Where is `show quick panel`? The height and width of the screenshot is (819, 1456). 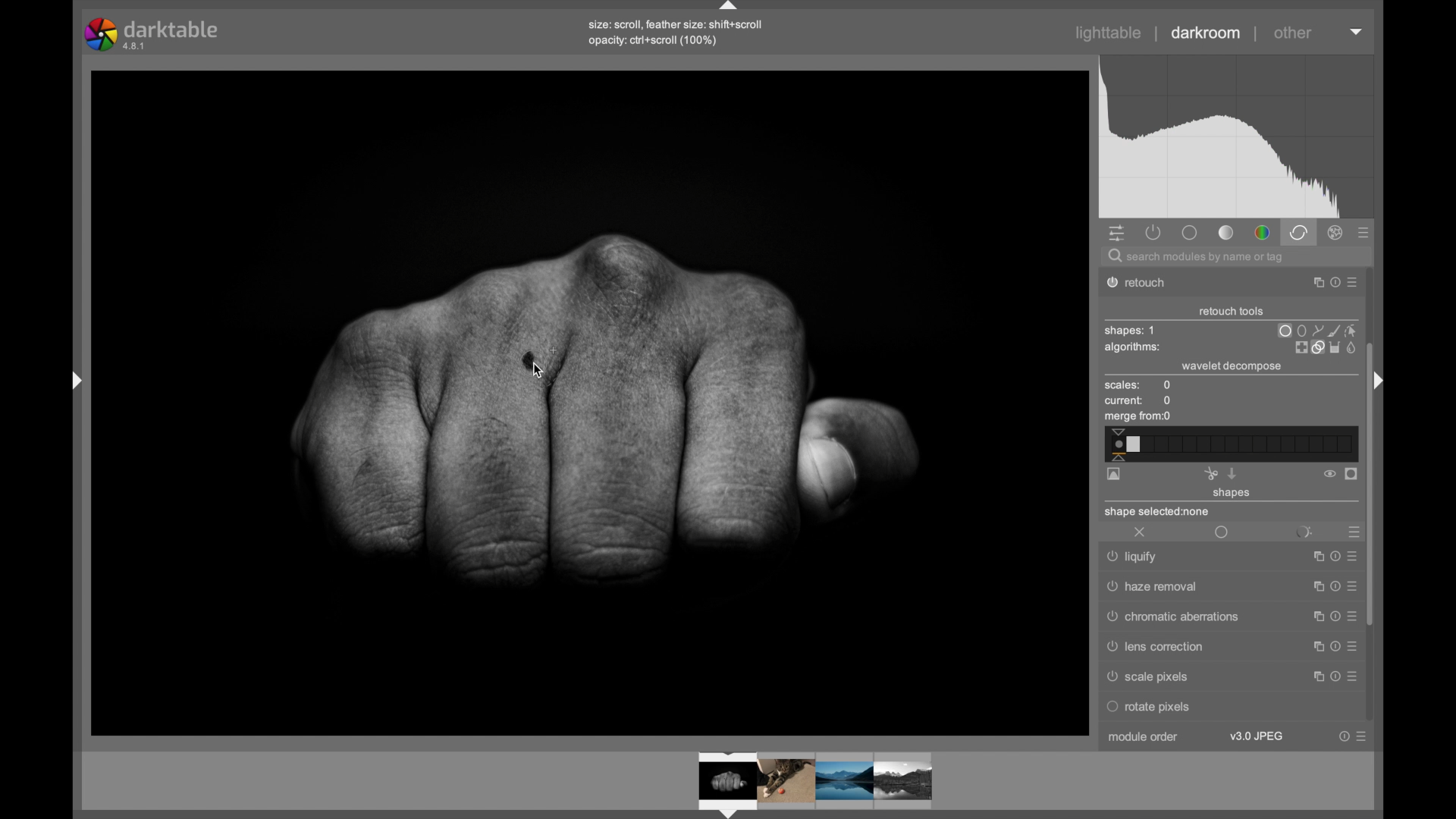
show quick panel is located at coordinates (1116, 234).